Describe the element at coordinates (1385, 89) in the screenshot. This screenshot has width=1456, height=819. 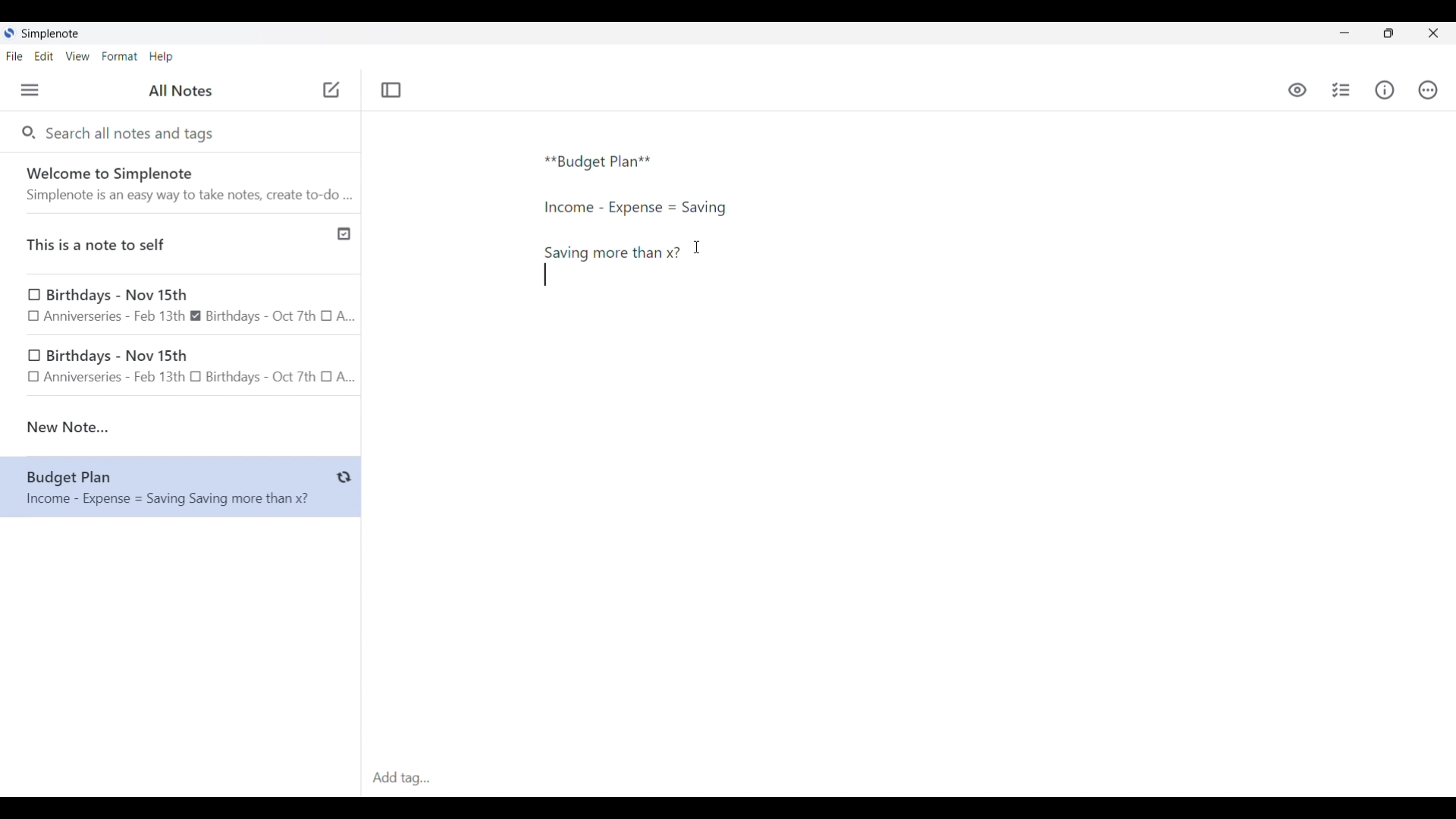
I see `Info` at that location.